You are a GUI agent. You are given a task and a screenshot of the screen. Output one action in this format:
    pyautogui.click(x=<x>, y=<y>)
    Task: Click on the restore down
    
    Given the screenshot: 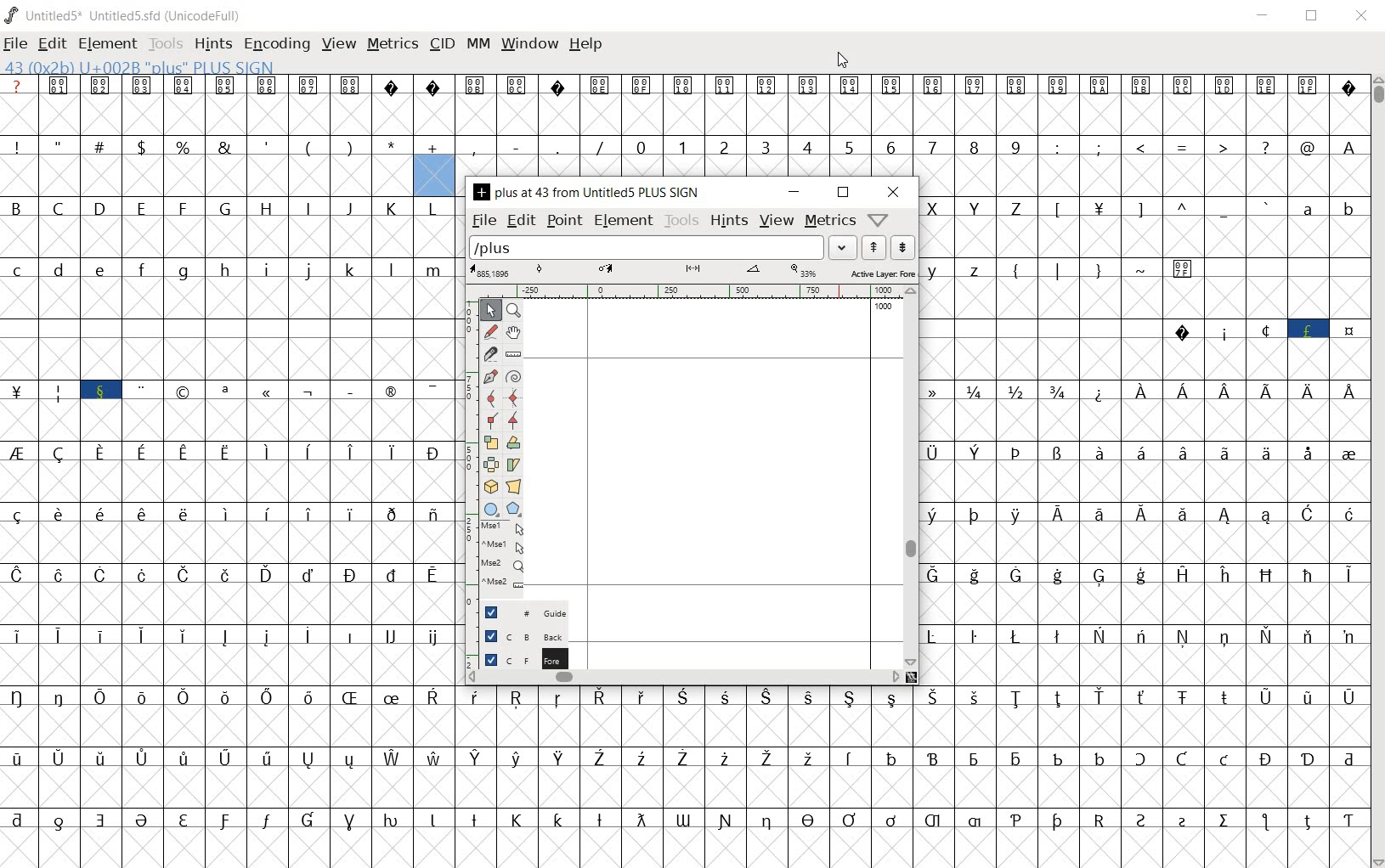 What is the action you would take?
    pyautogui.click(x=1314, y=16)
    